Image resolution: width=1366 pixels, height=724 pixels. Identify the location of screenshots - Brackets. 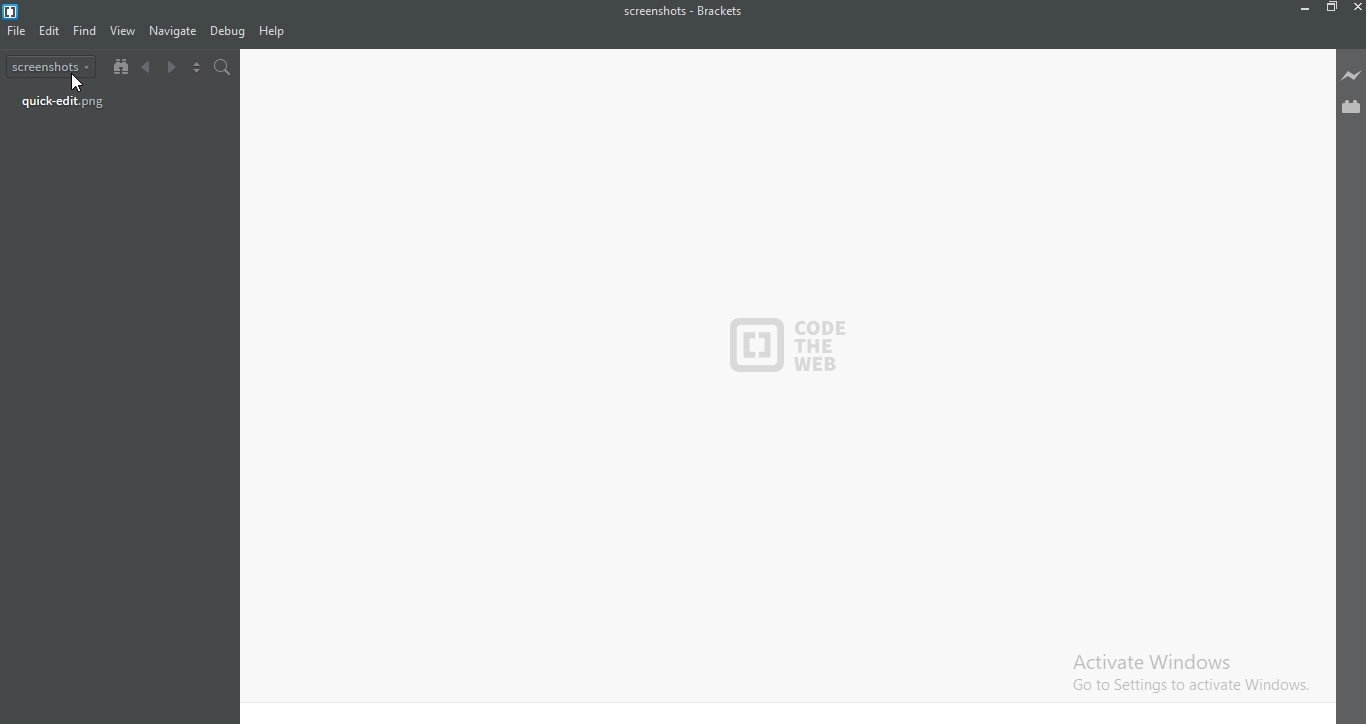
(689, 10).